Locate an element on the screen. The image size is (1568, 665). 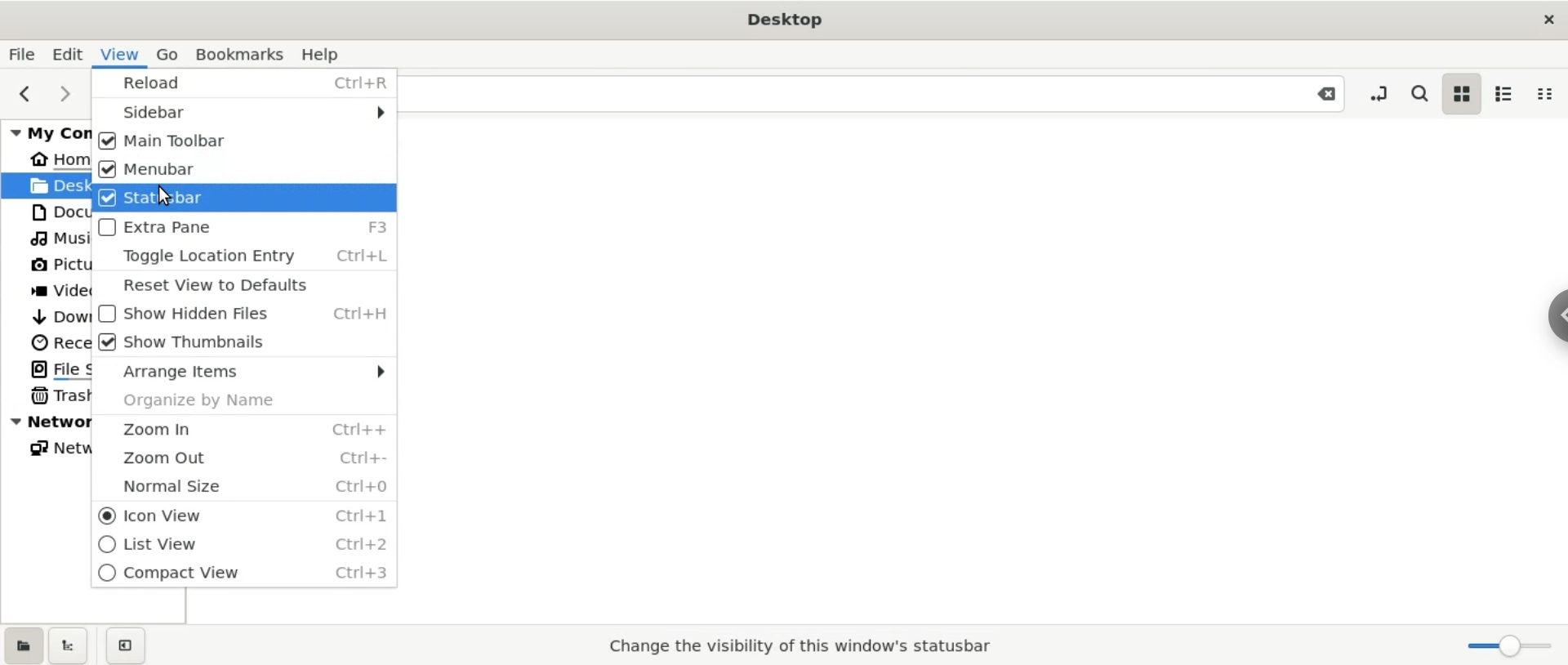
Statusbar is located at coordinates (242, 199).